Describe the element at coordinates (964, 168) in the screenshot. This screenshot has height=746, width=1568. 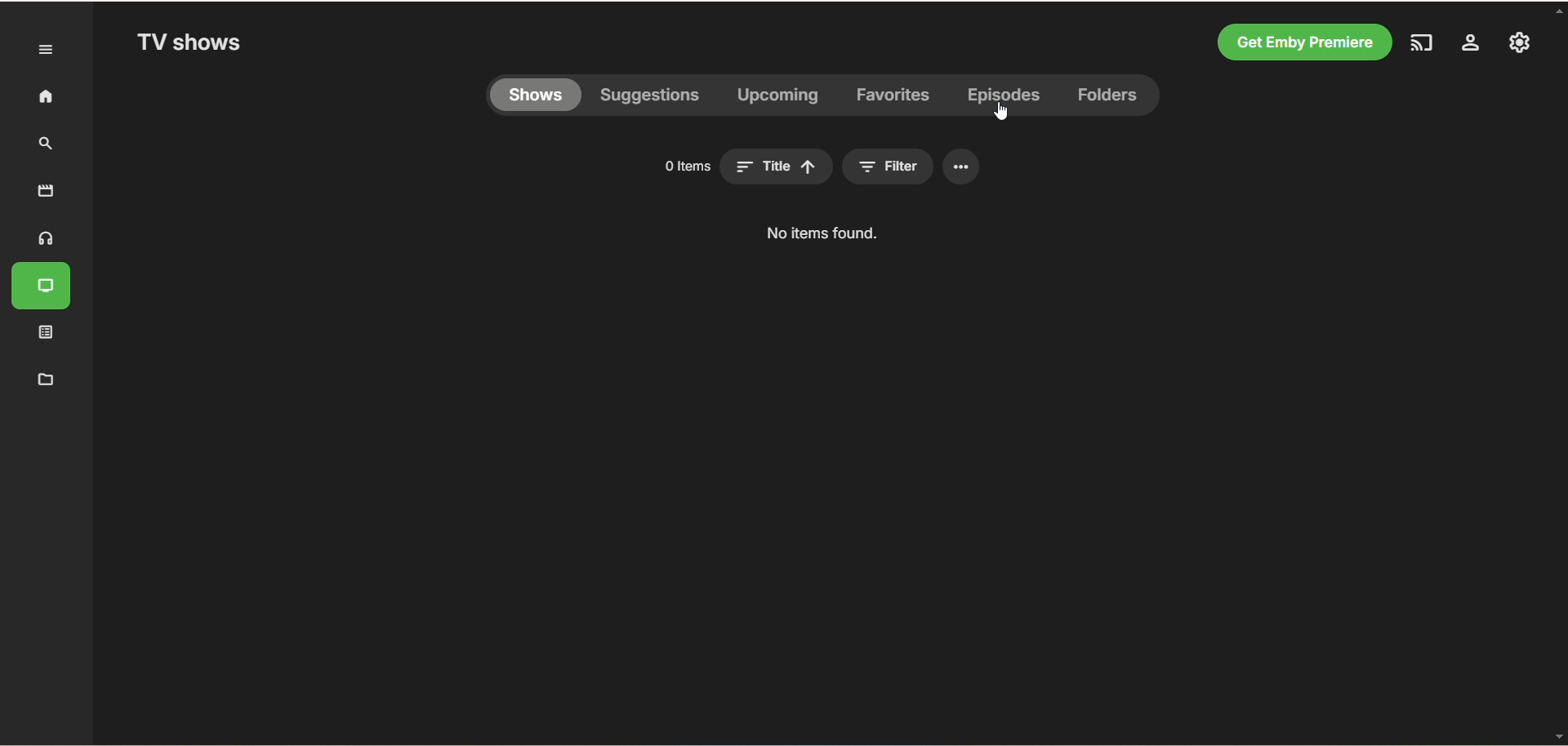
I see `options` at that location.